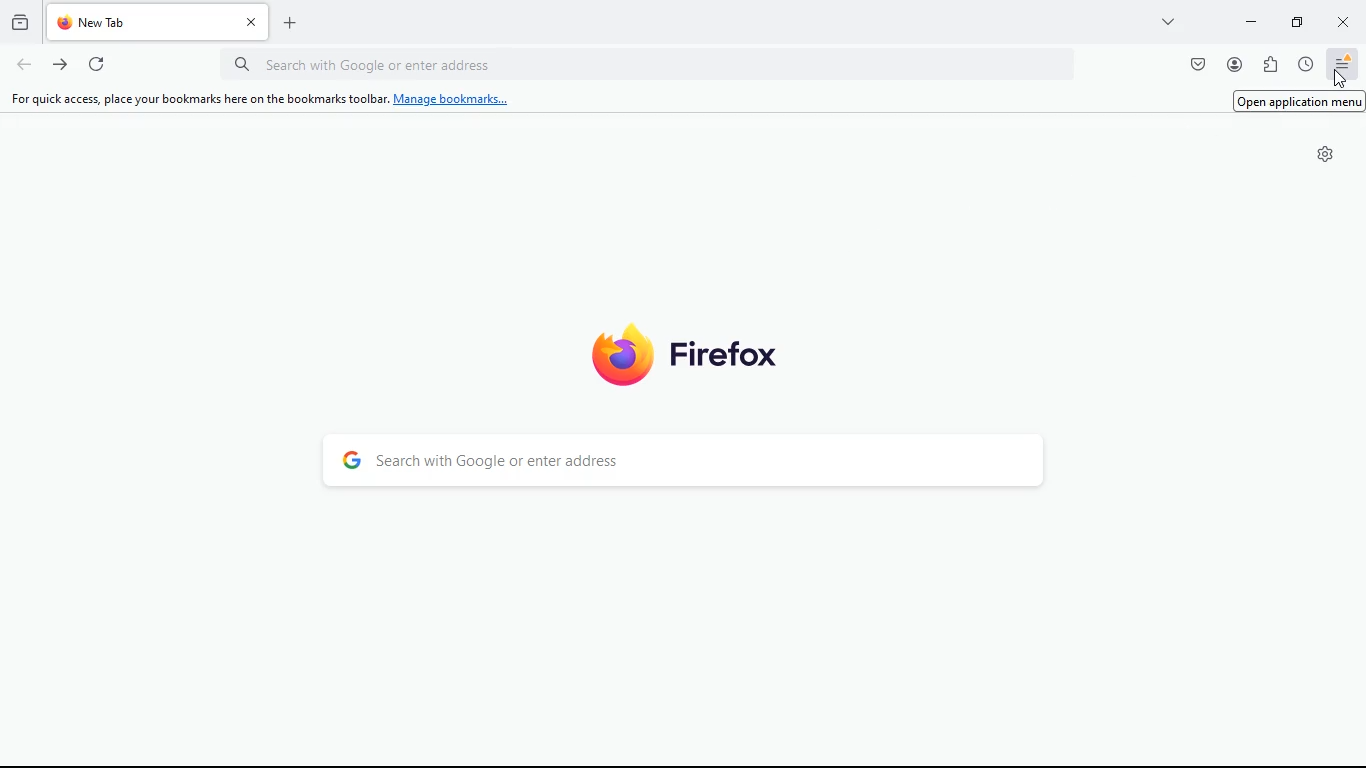 This screenshot has width=1366, height=768. I want to click on extensions, so click(1269, 66).